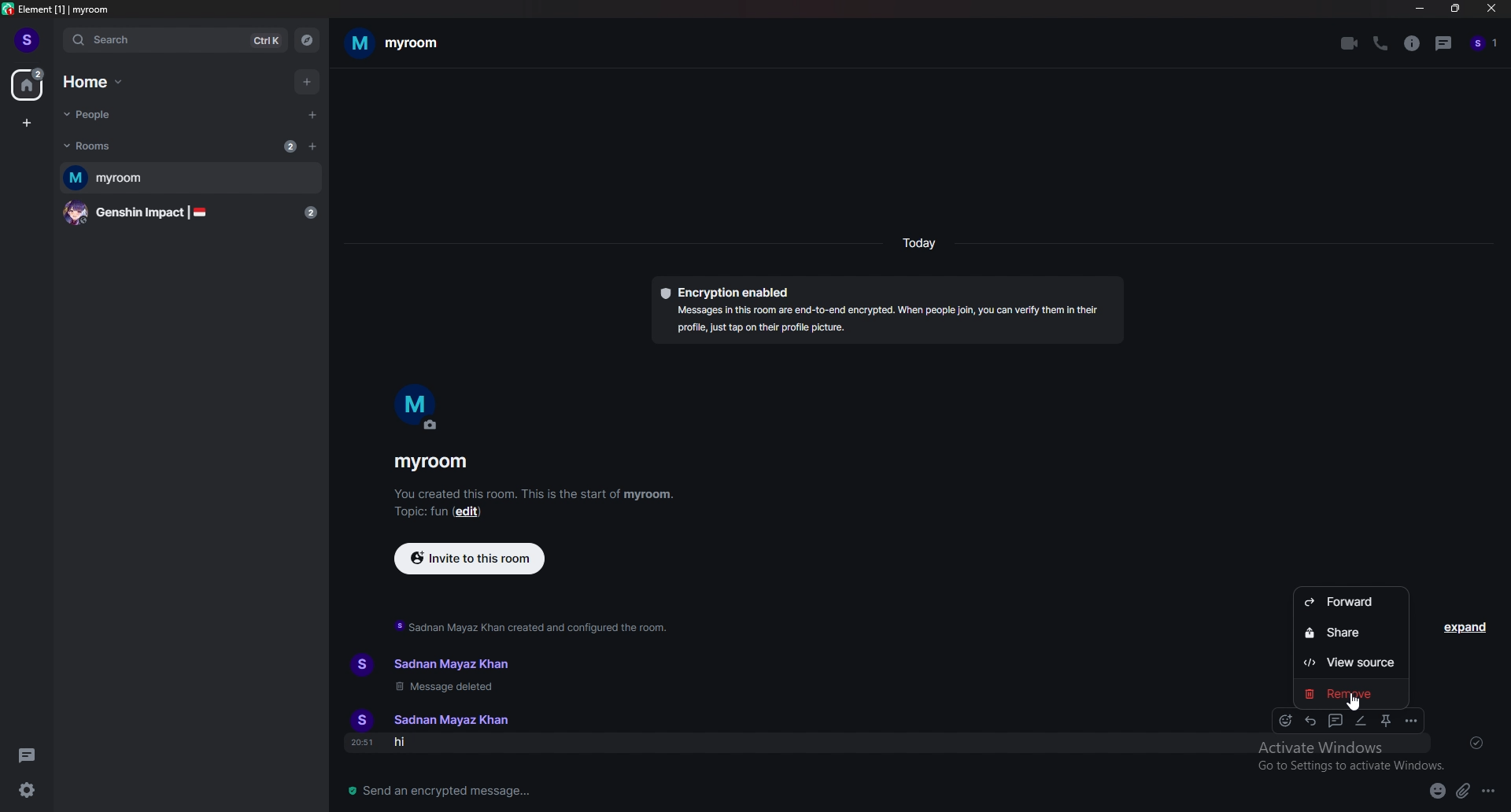 The width and height of the screenshot is (1511, 812). What do you see at coordinates (290, 146) in the screenshot?
I see `new message count` at bounding box center [290, 146].